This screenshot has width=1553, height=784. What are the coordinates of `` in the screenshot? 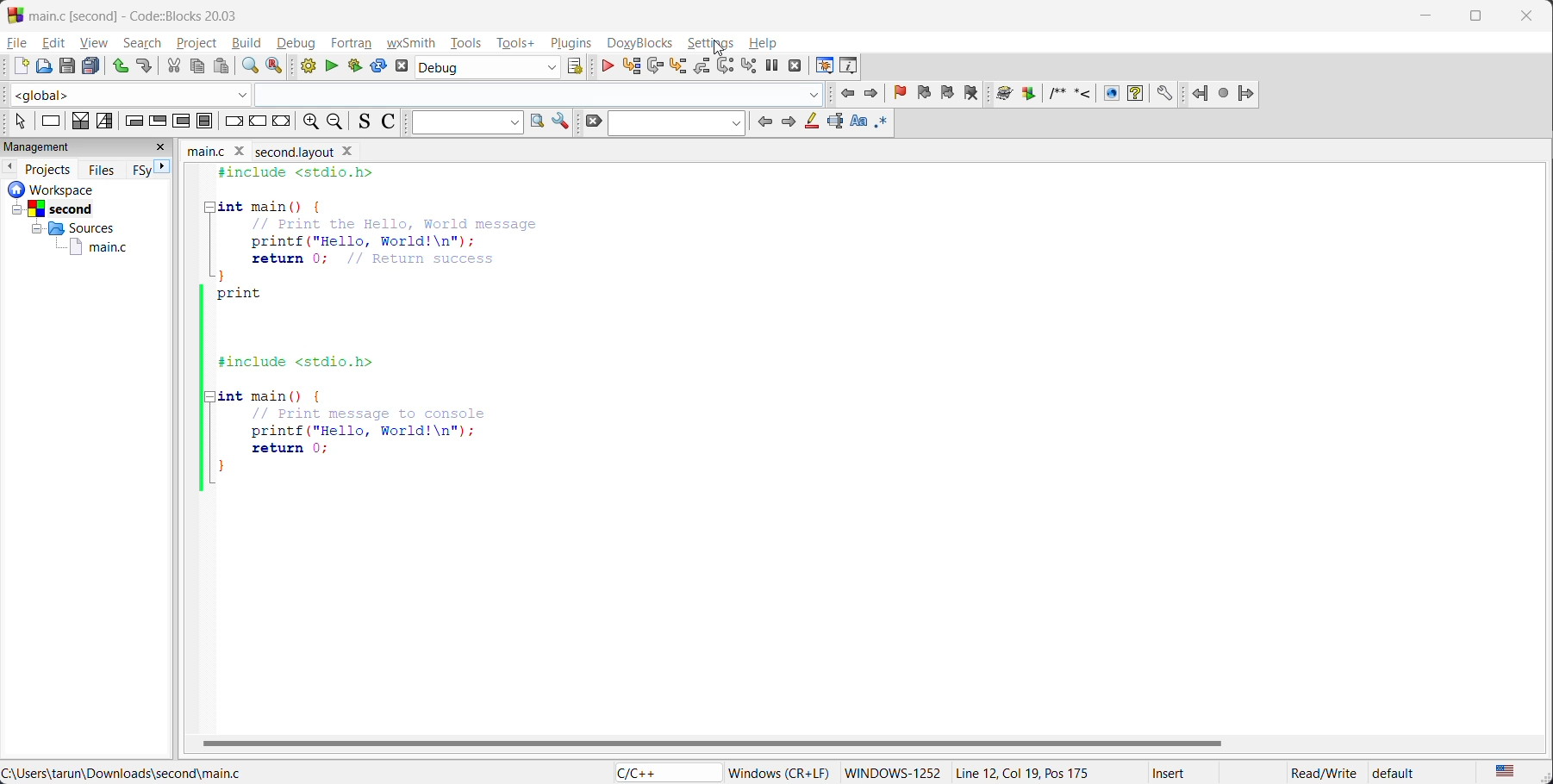 It's located at (70, 227).